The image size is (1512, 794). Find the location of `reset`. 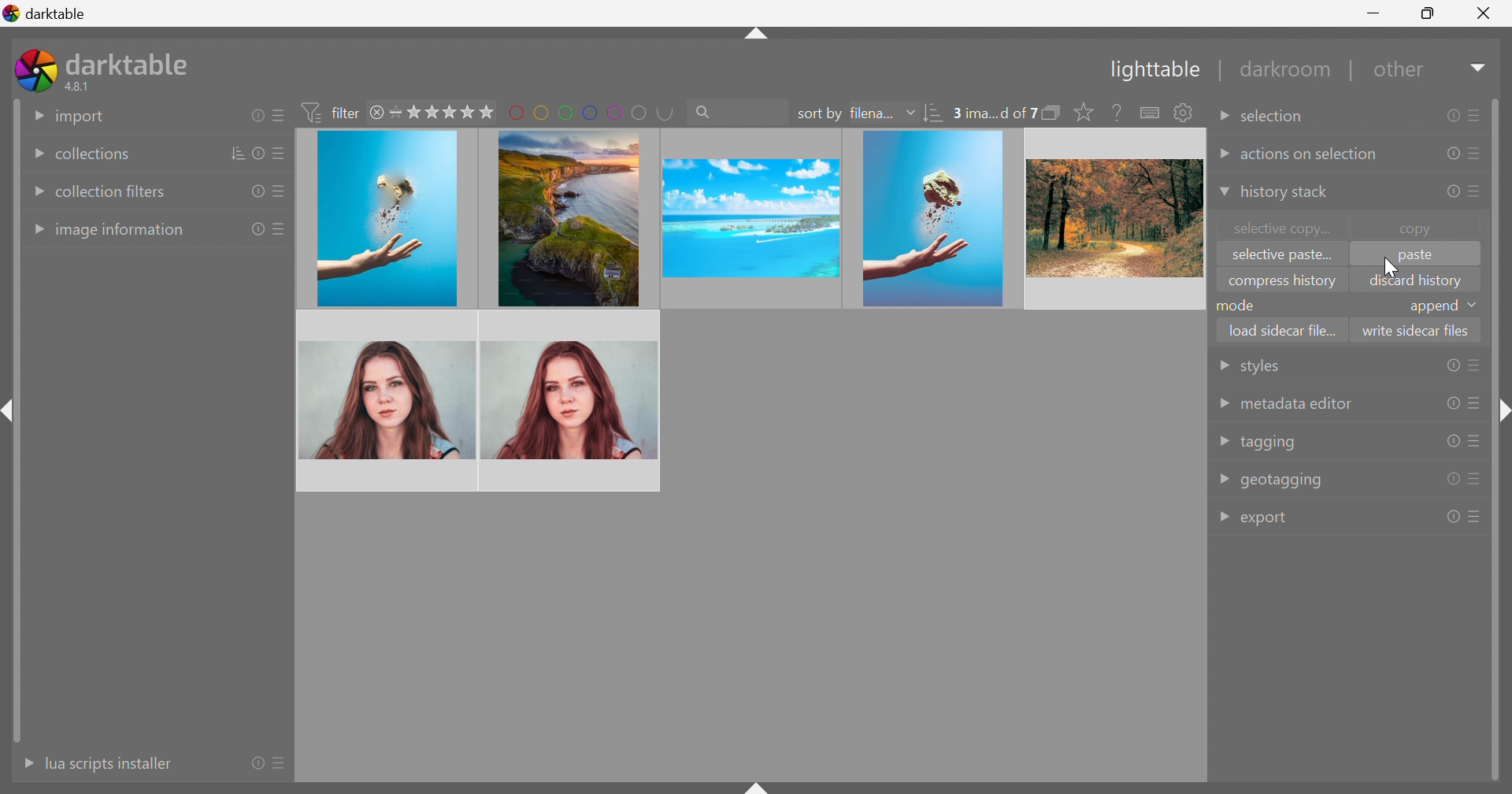

reset is located at coordinates (1452, 403).